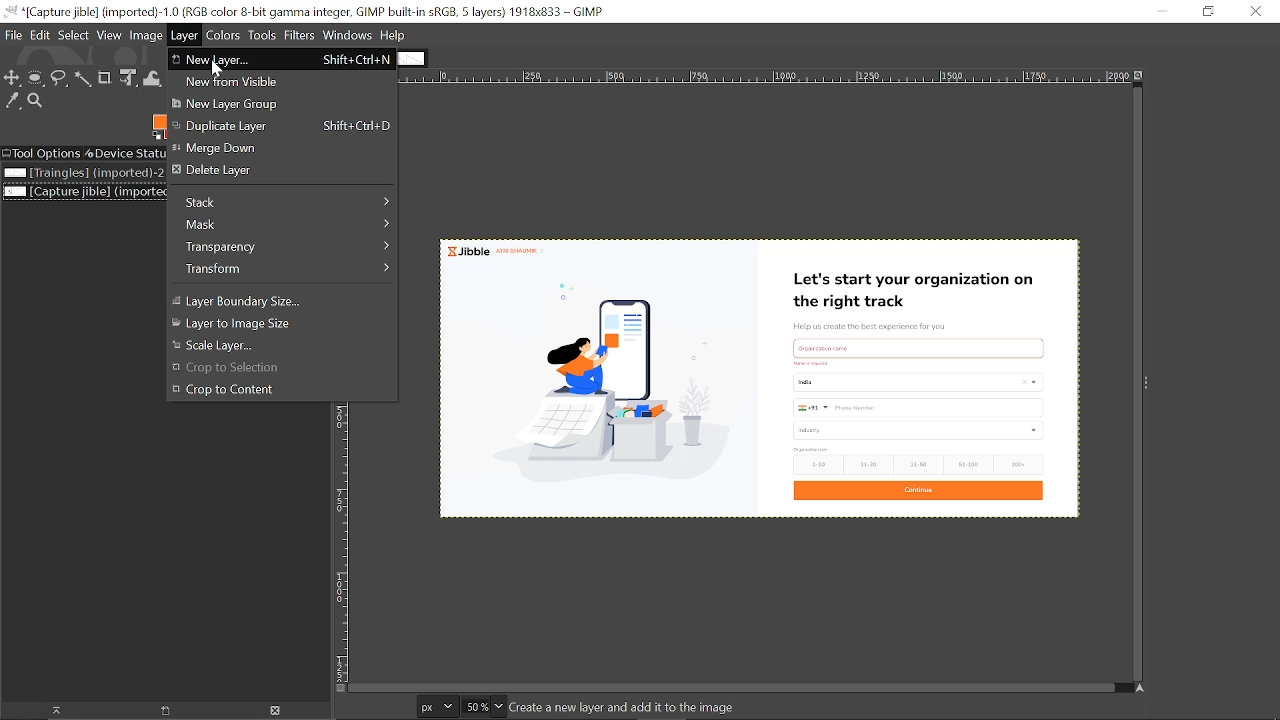 The width and height of the screenshot is (1280, 720). What do you see at coordinates (281, 322) in the screenshot?
I see `Layer to image size` at bounding box center [281, 322].